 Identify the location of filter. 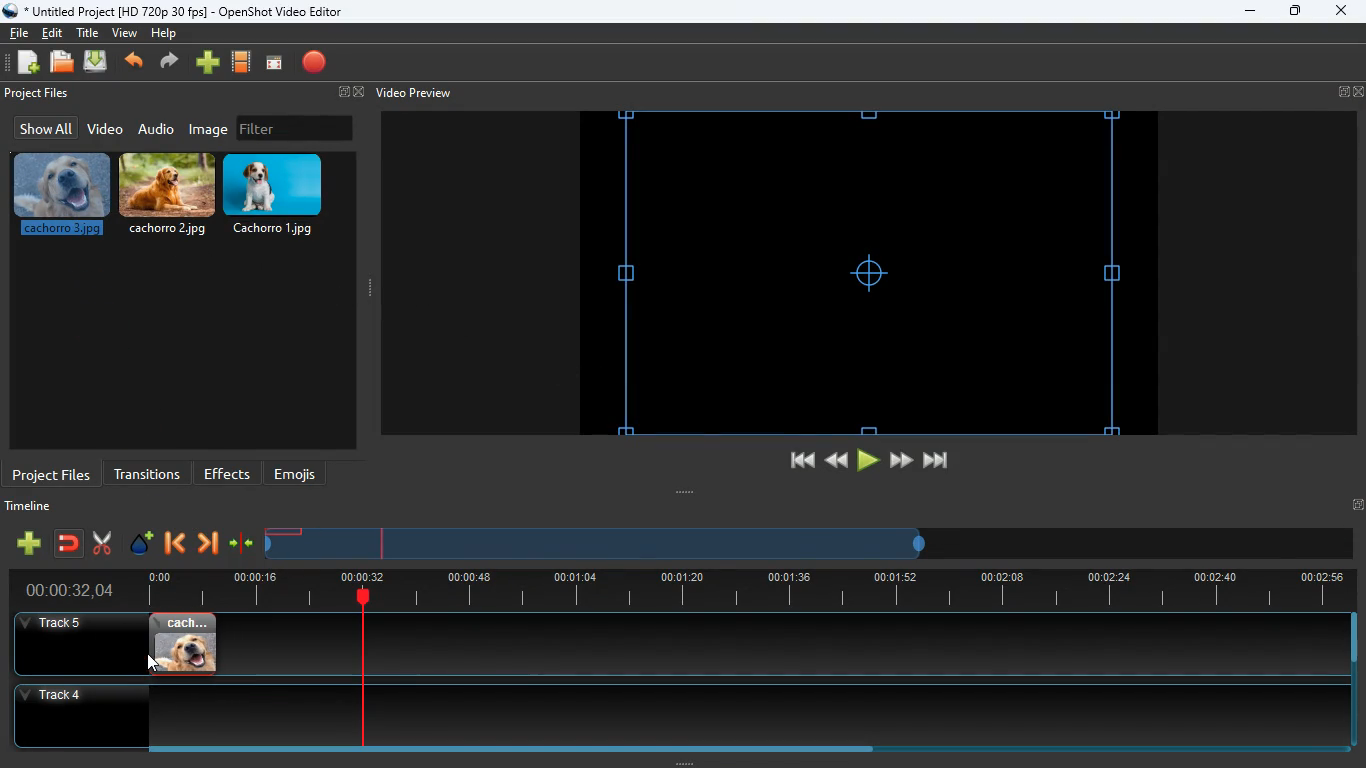
(295, 128).